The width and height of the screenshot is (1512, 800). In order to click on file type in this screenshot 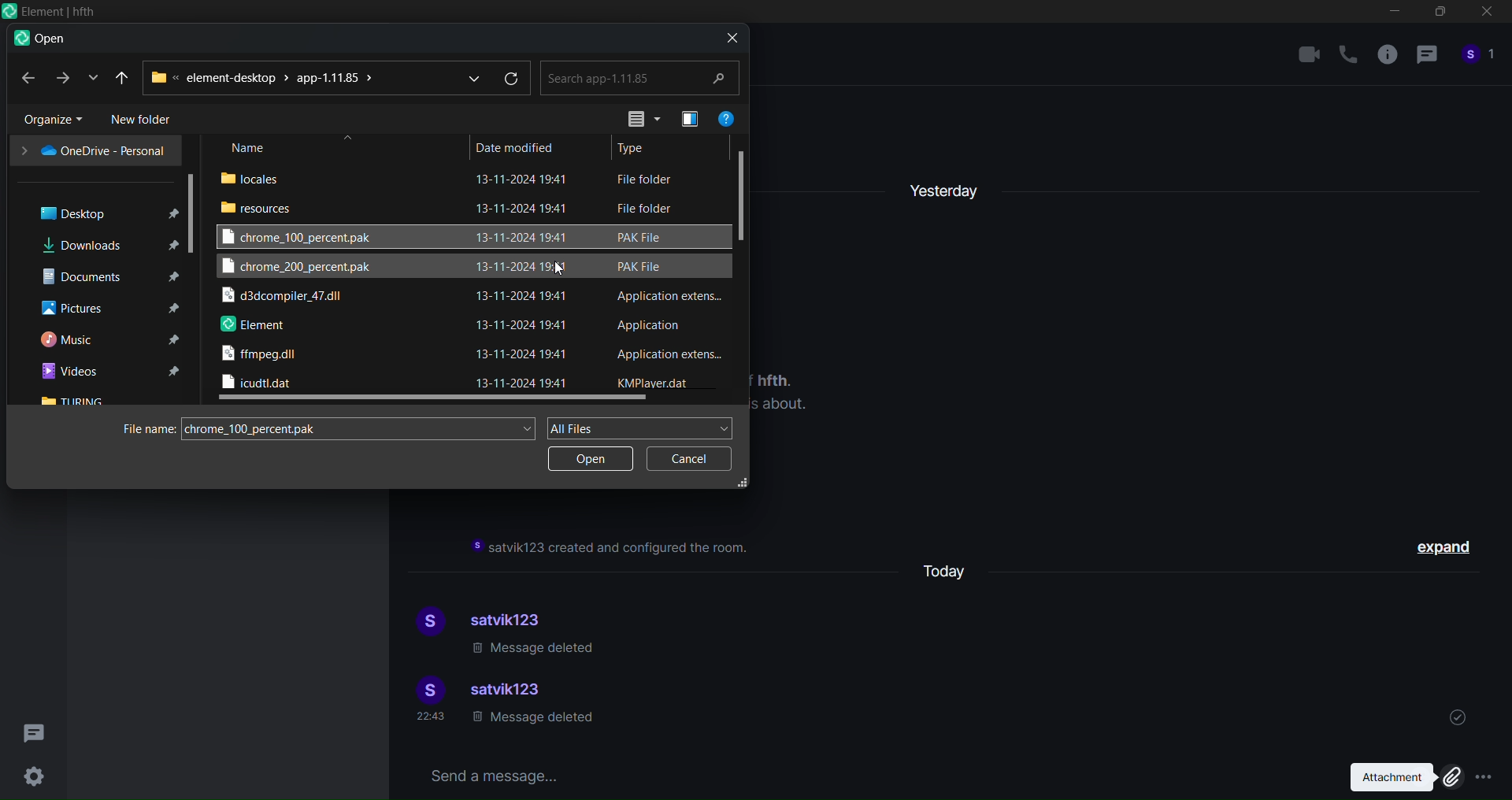, I will do `click(668, 280)`.